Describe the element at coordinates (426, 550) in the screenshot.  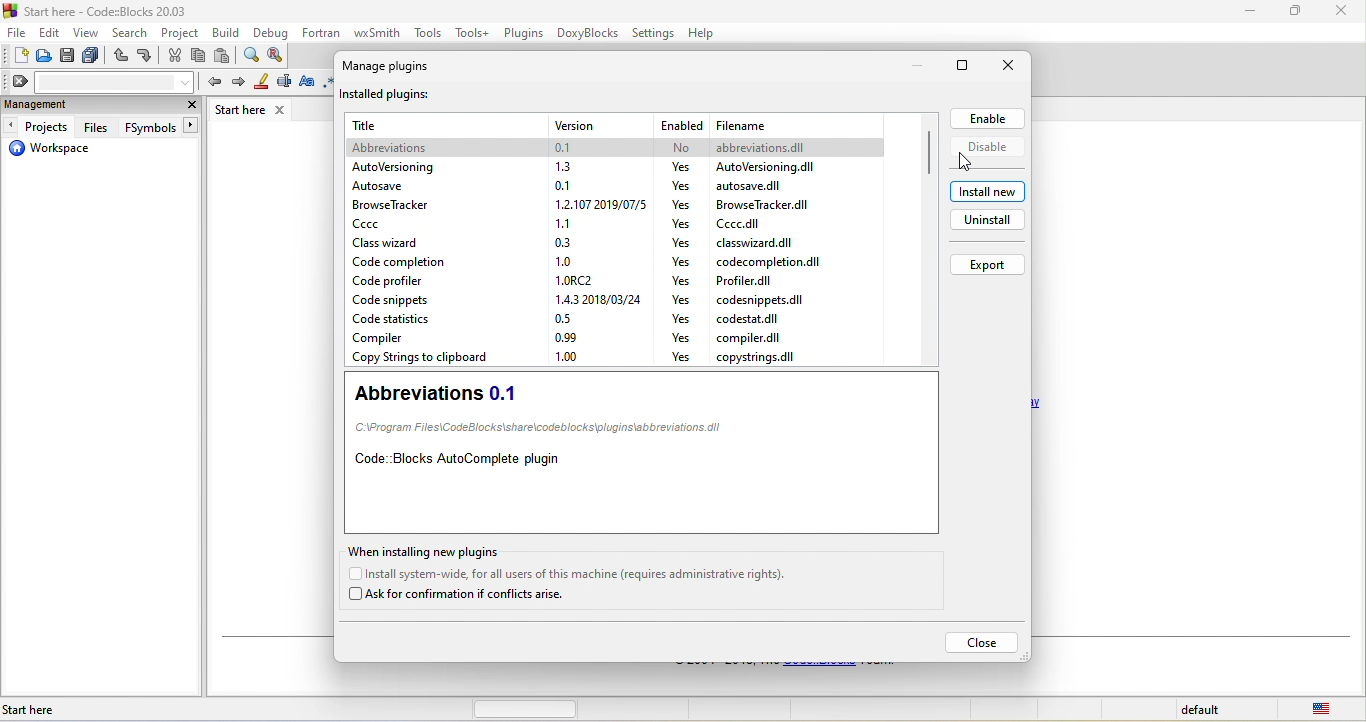
I see `when installing new plugin` at that location.